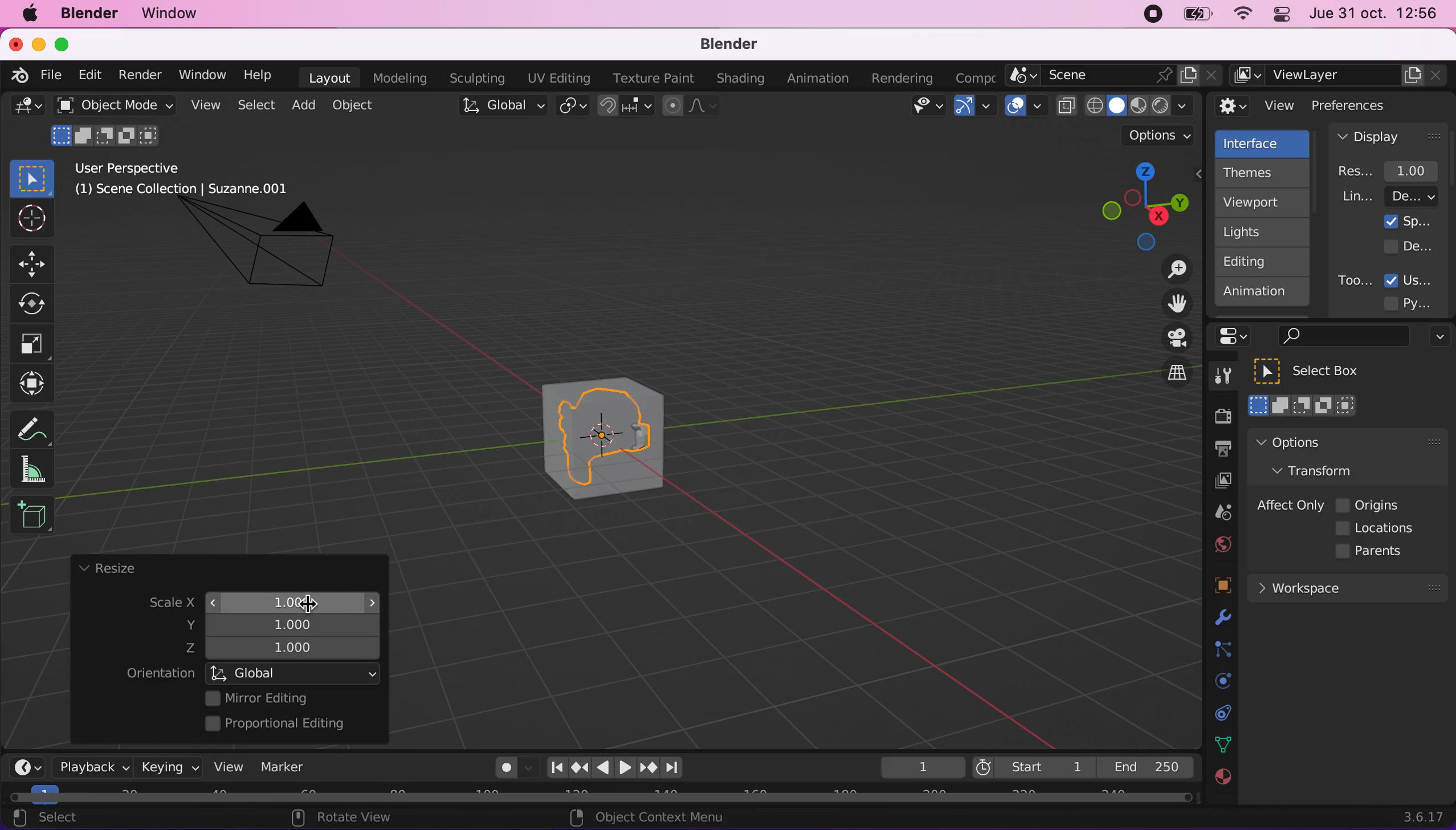 The image size is (1456, 830). Describe the element at coordinates (974, 109) in the screenshot. I see `gizmos` at that location.